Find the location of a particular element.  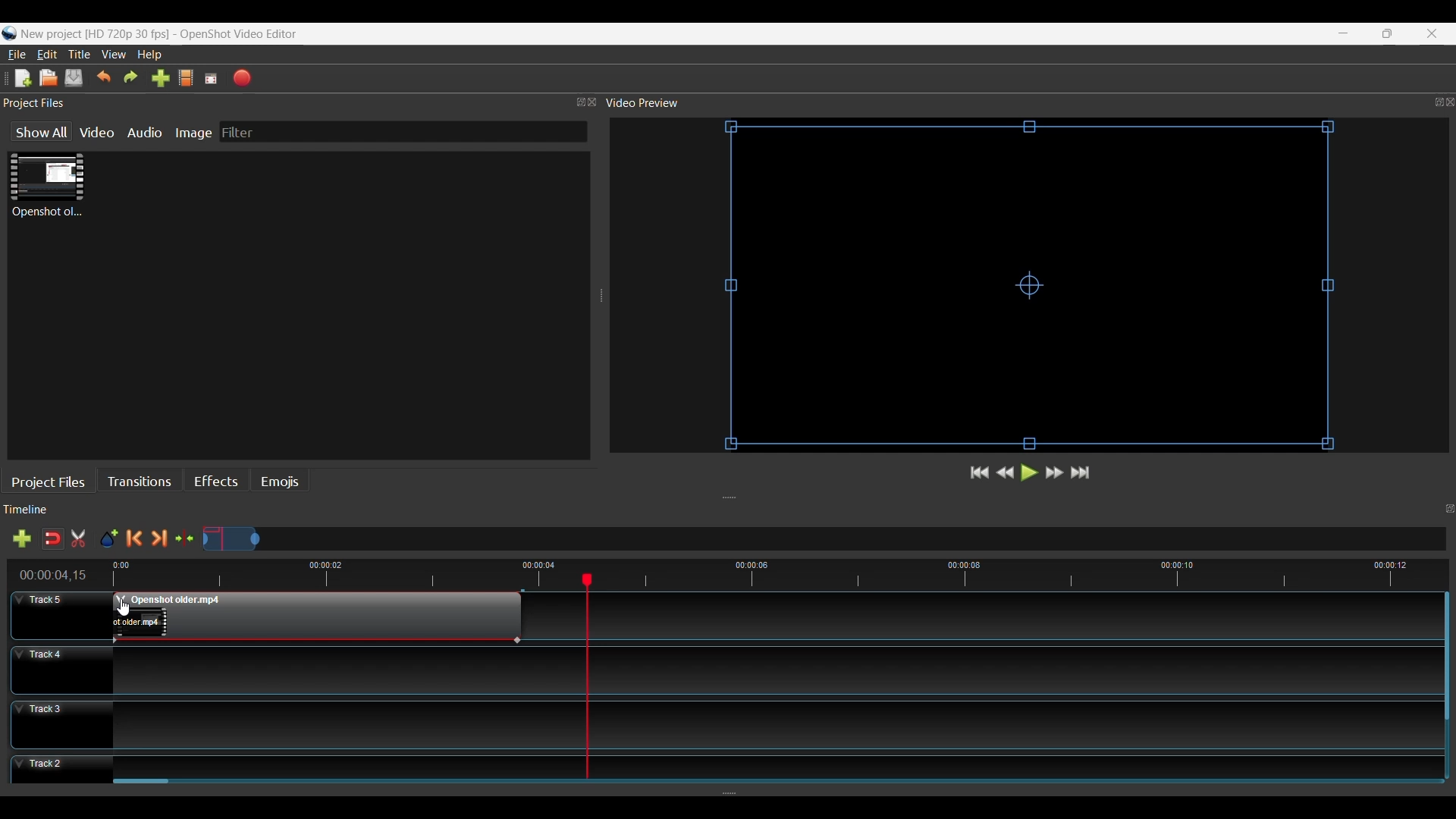

Export Video is located at coordinates (243, 77).